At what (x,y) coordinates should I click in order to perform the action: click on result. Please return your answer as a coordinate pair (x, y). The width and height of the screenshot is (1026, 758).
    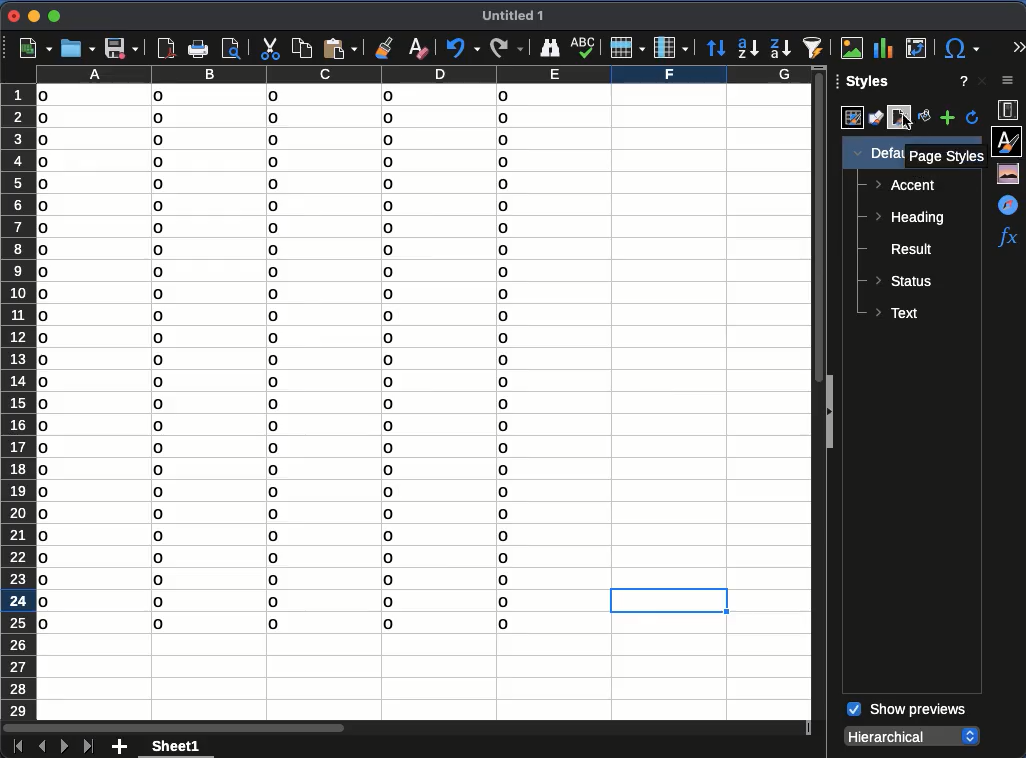
    Looking at the image, I should click on (903, 251).